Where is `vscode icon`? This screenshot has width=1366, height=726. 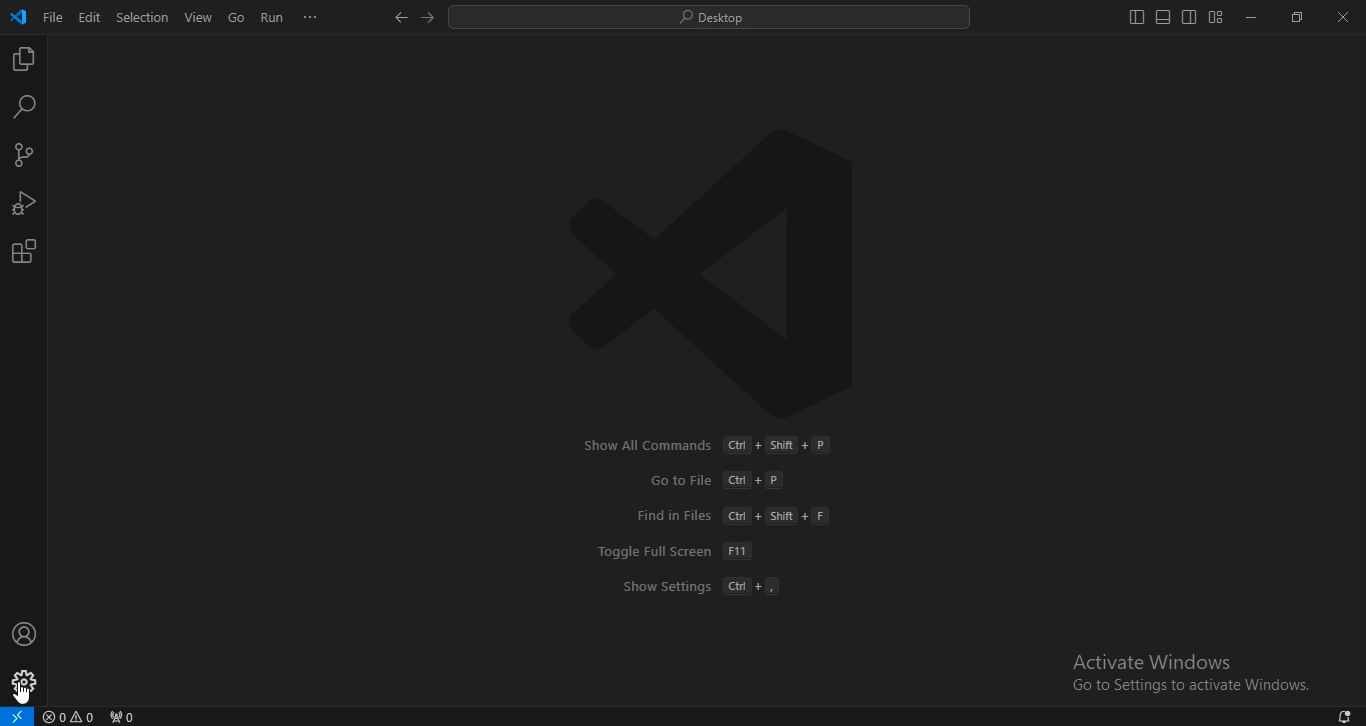 vscode icon is located at coordinates (18, 18).